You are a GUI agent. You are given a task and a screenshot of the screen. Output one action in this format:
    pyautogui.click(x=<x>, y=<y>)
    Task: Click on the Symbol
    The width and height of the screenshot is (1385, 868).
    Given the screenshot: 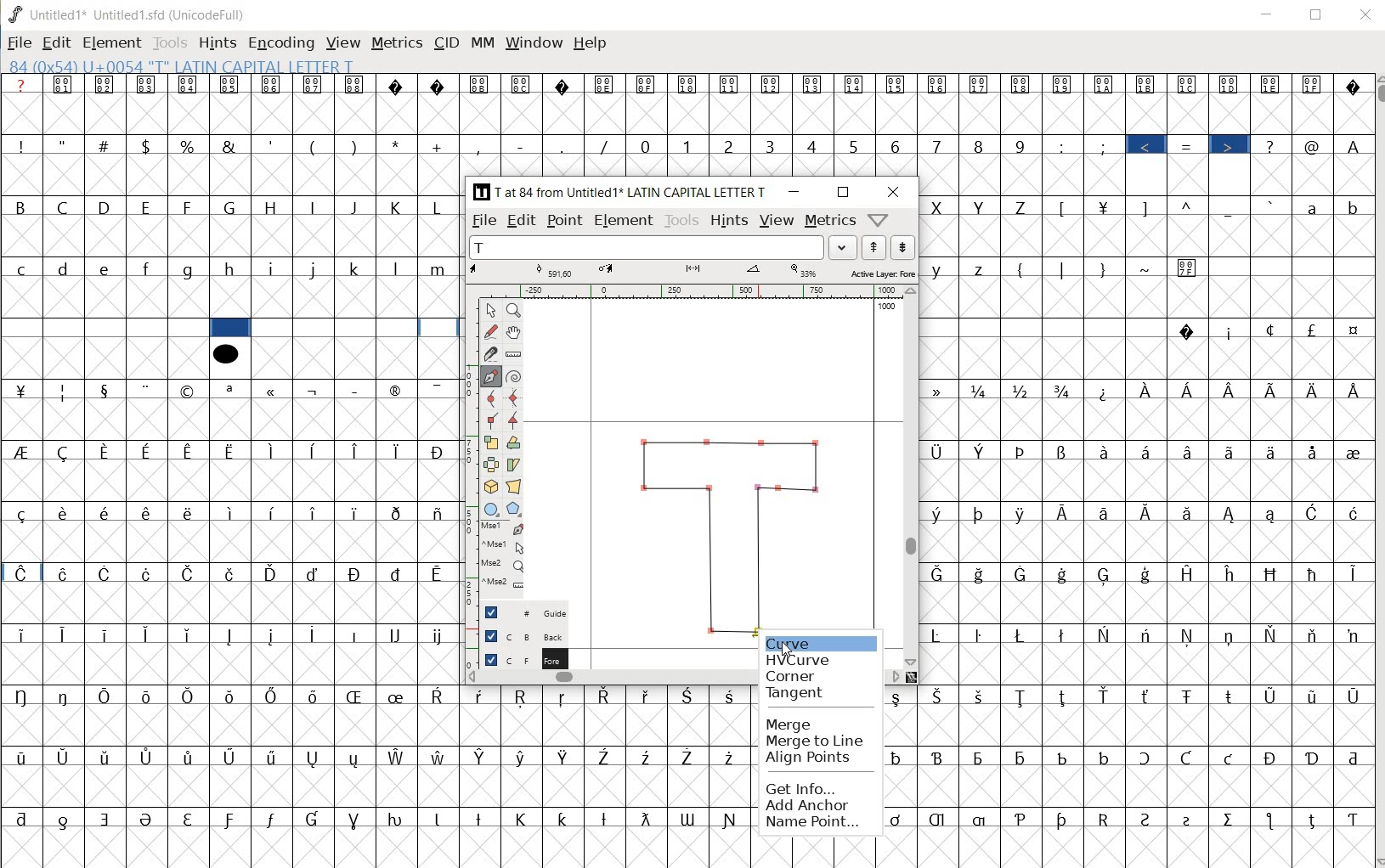 What is the action you would take?
    pyautogui.click(x=354, y=696)
    